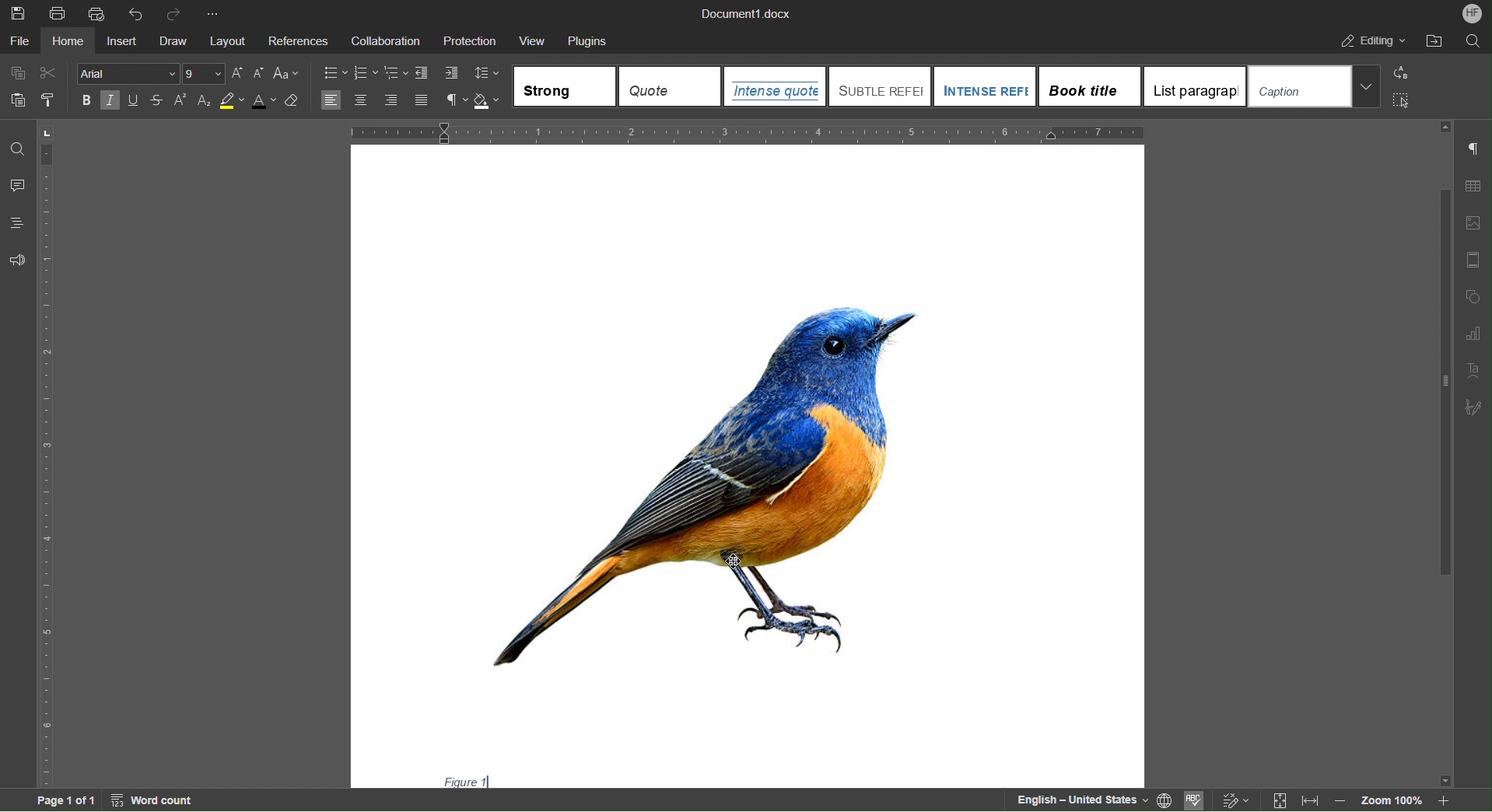 This screenshot has width=1492, height=812. What do you see at coordinates (1472, 370) in the screenshot?
I see `Text Art` at bounding box center [1472, 370].